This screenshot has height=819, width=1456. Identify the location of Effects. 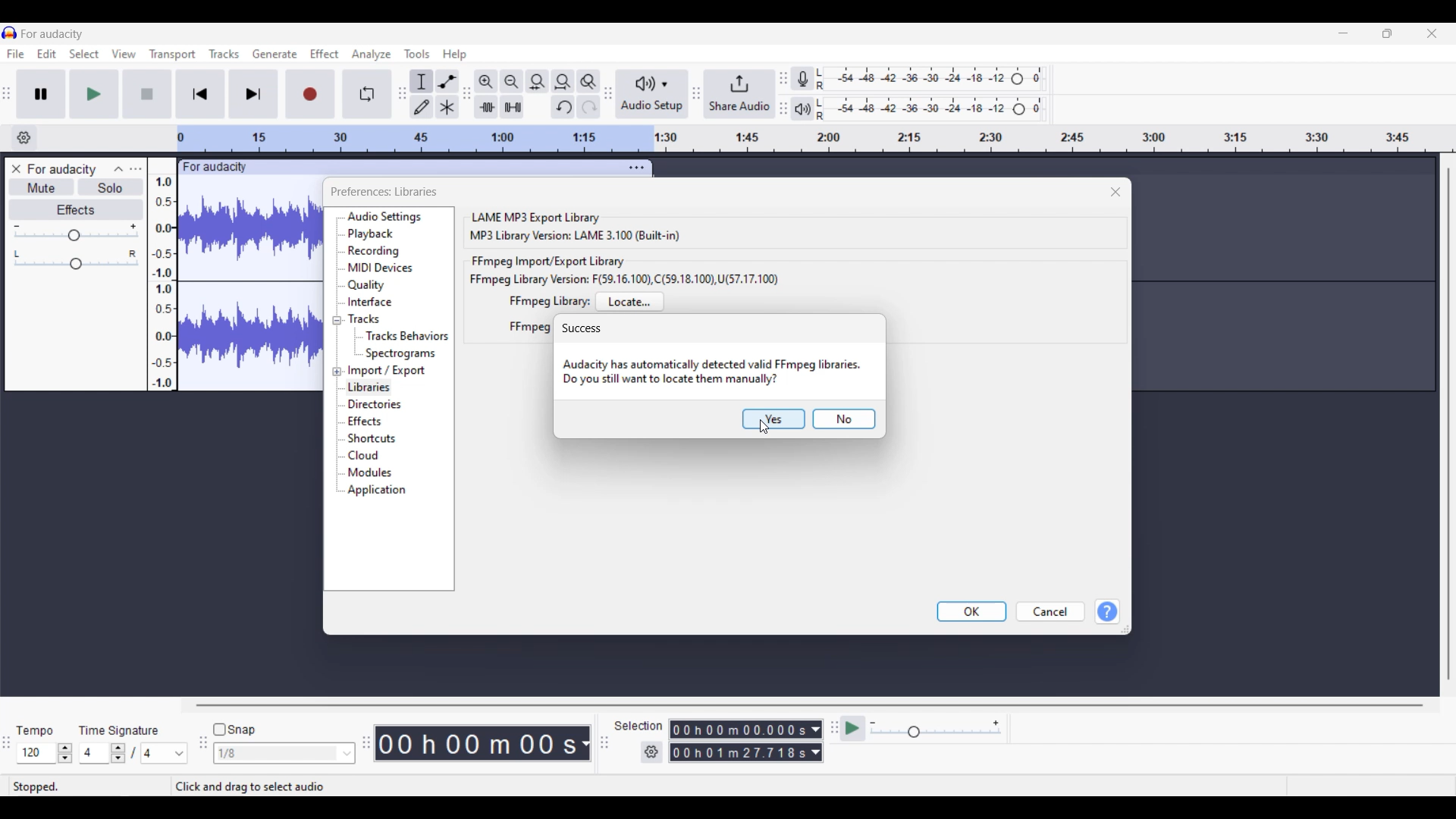
(366, 422).